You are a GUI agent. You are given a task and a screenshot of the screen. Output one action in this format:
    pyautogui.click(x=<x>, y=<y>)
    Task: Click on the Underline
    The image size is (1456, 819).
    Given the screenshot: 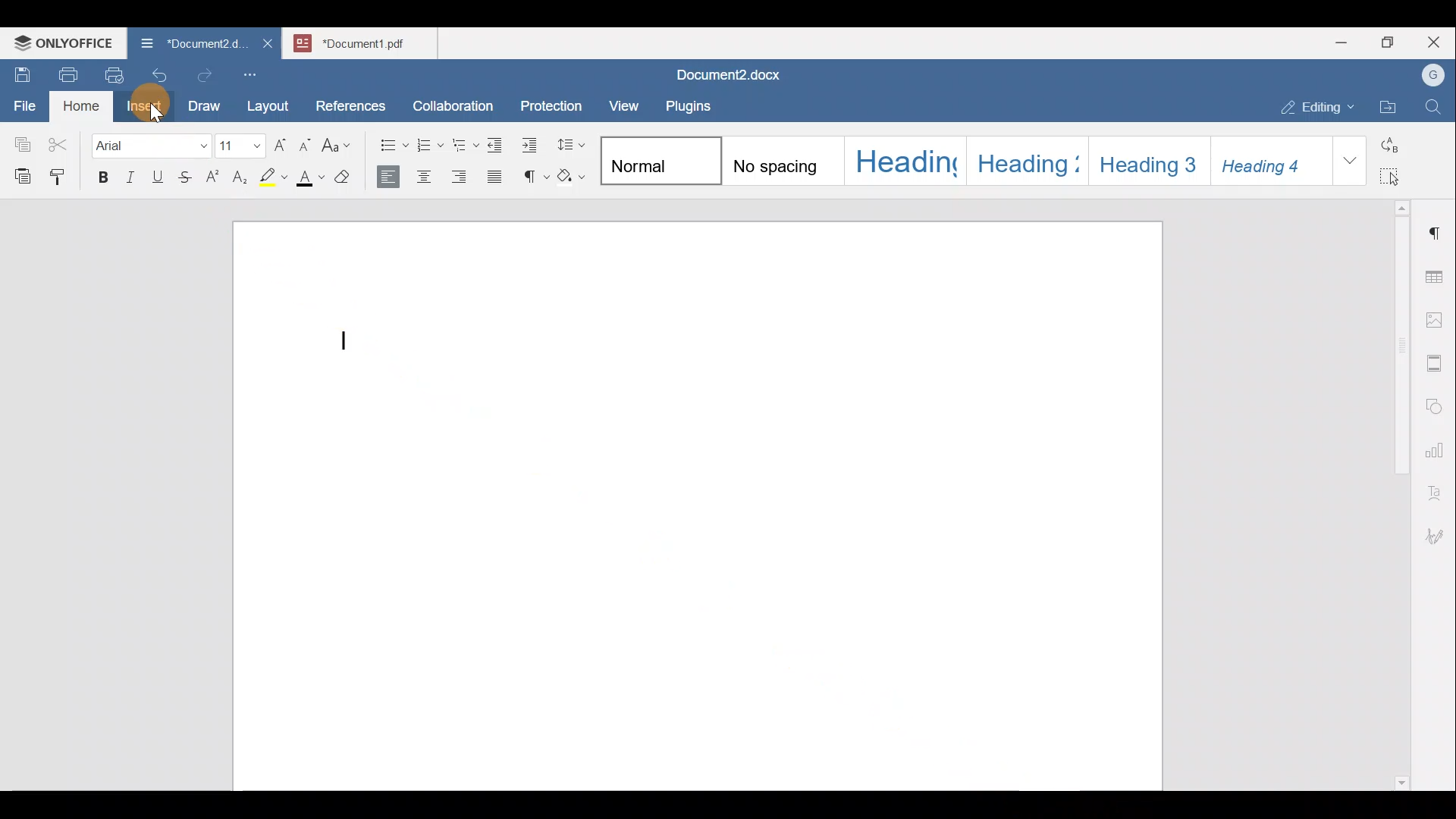 What is the action you would take?
    pyautogui.click(x=155, y=175)
    